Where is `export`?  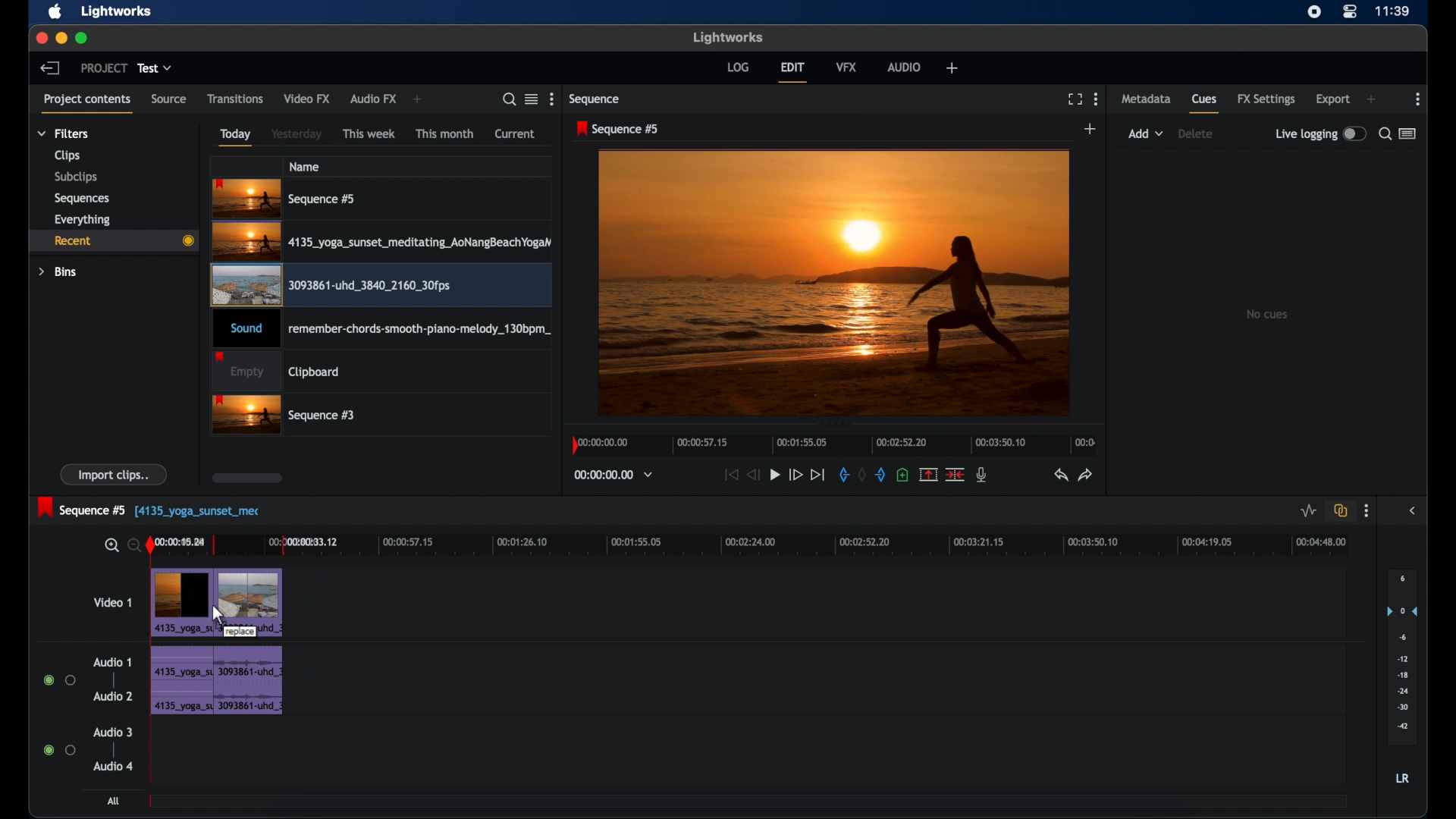 export is located at coordinates (1332, 99).